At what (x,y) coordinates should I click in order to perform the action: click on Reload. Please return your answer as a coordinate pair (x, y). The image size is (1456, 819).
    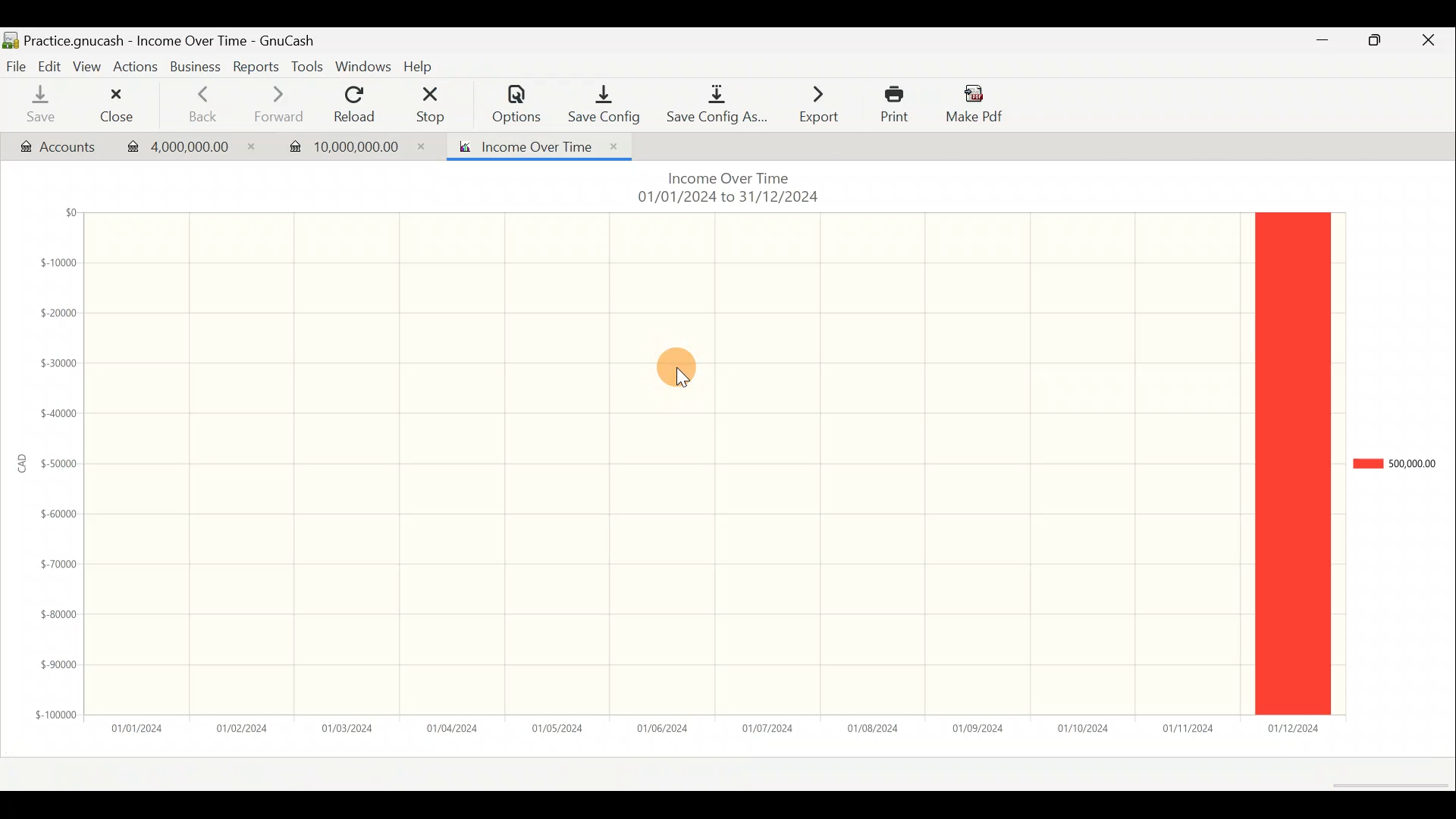
    Looking at the image, I should click on (355, 103).